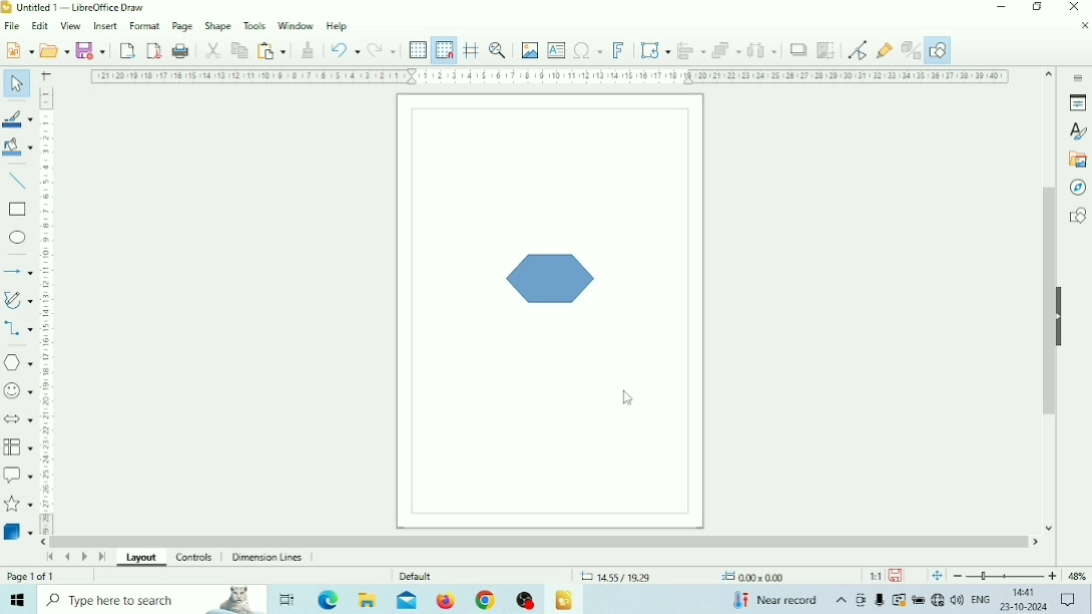 The width and height of the screenshot is (1092, 614). I want to click on Zoom factor, so click(1077, 576).